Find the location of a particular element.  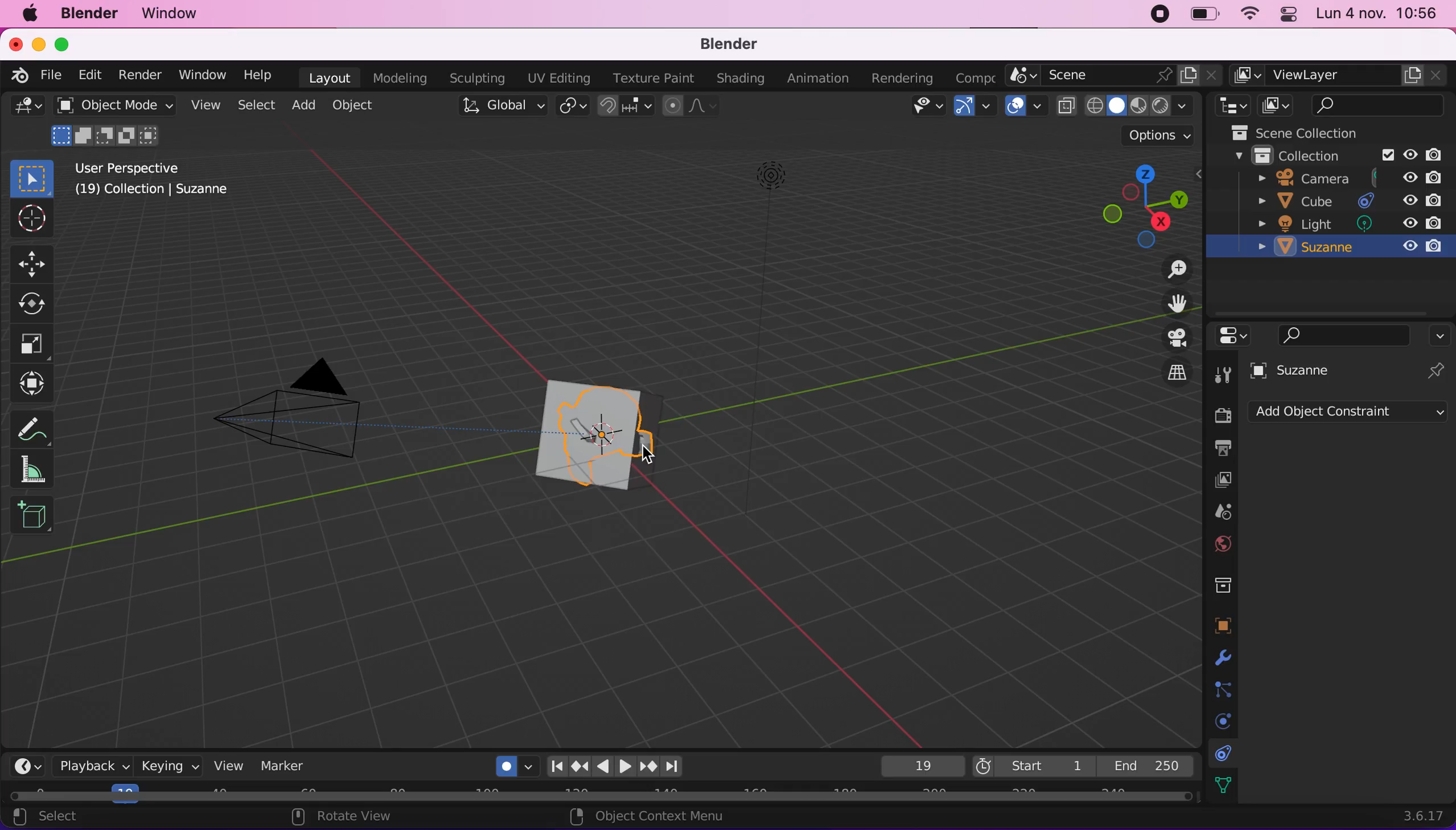

suzanne is located at coordinates (1306, 370).